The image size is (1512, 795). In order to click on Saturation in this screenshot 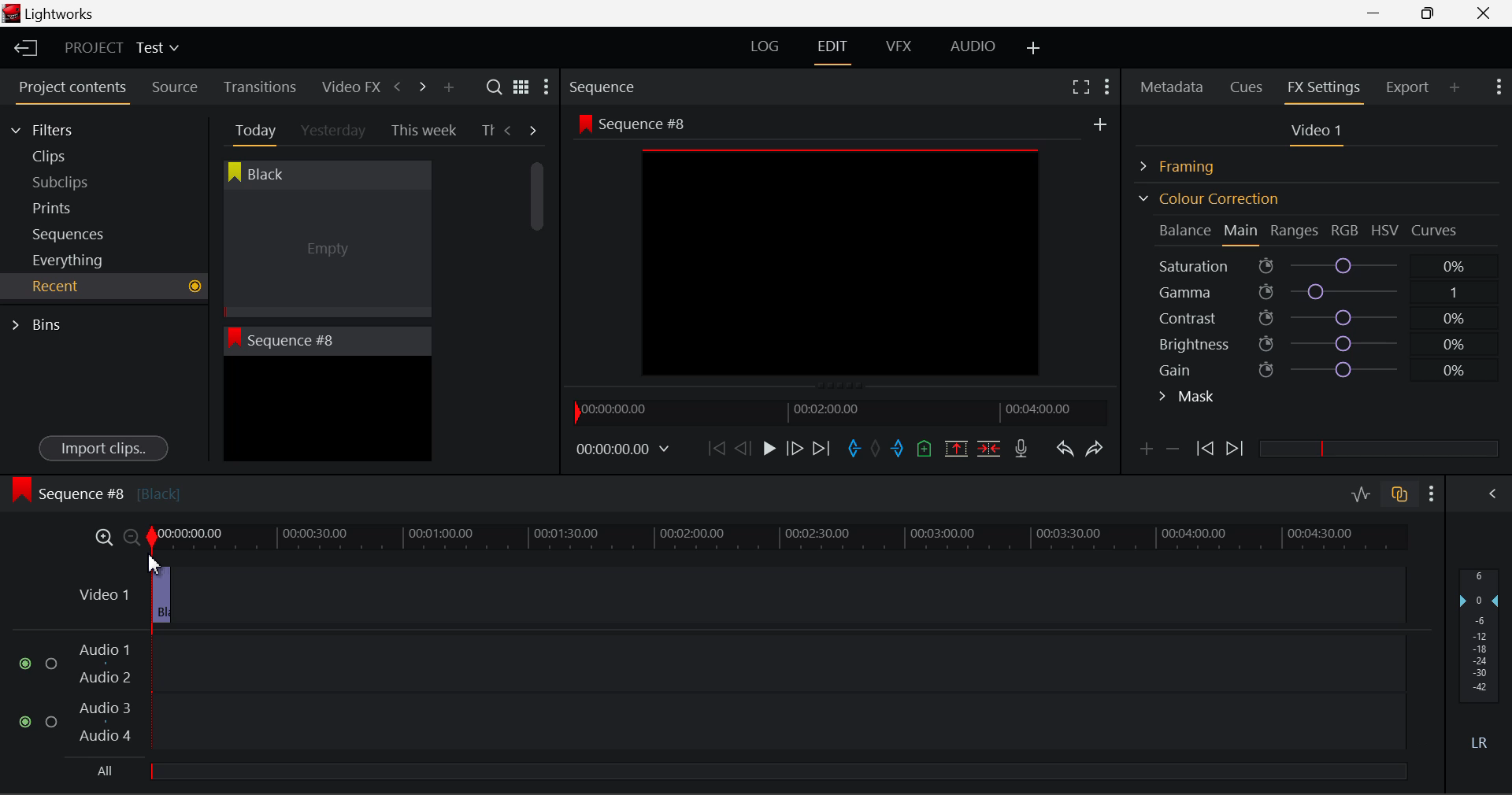, I will do `click(1314, 263)`.